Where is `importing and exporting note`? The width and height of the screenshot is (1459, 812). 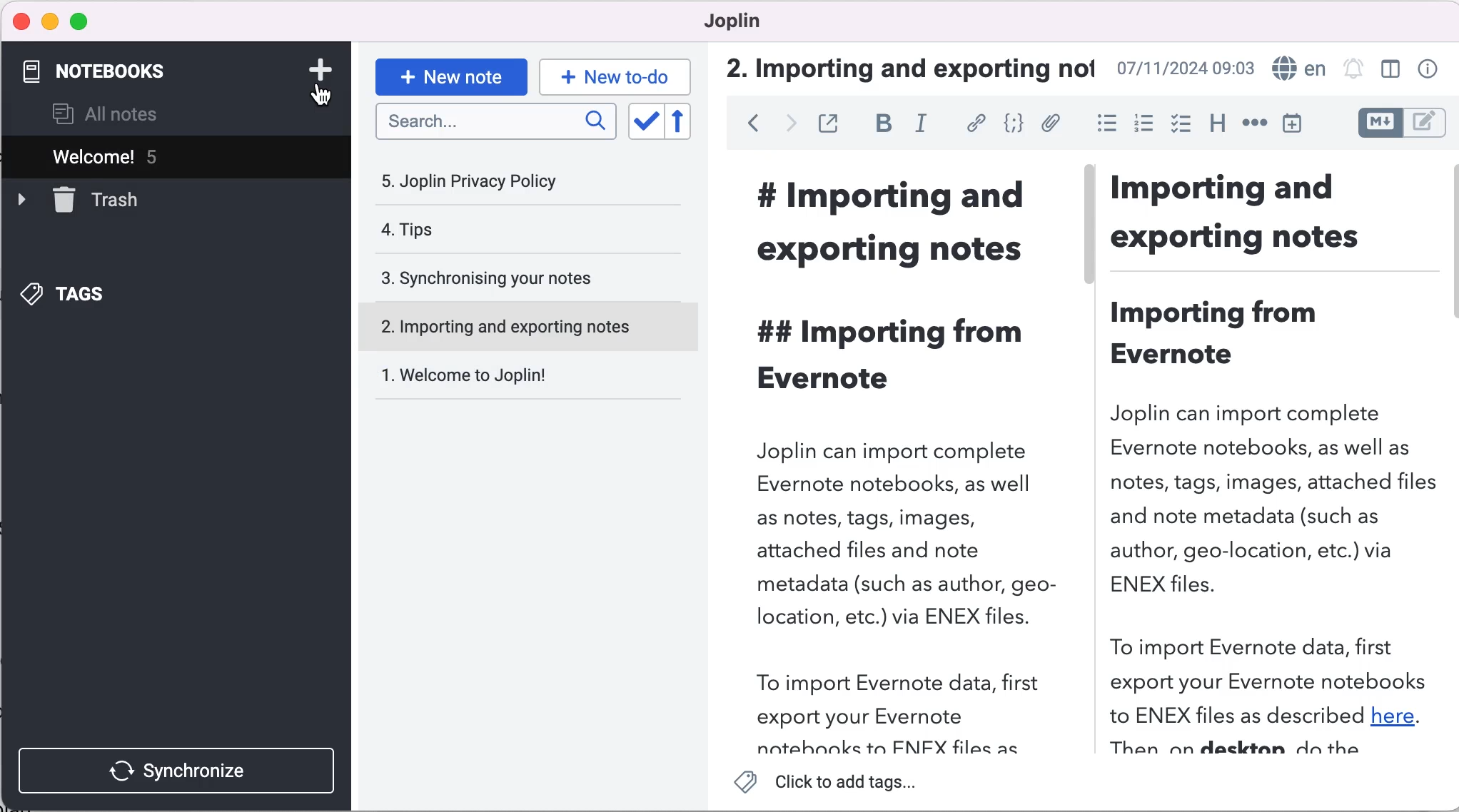 importing and exporting note is located at coordinates (898, 66).